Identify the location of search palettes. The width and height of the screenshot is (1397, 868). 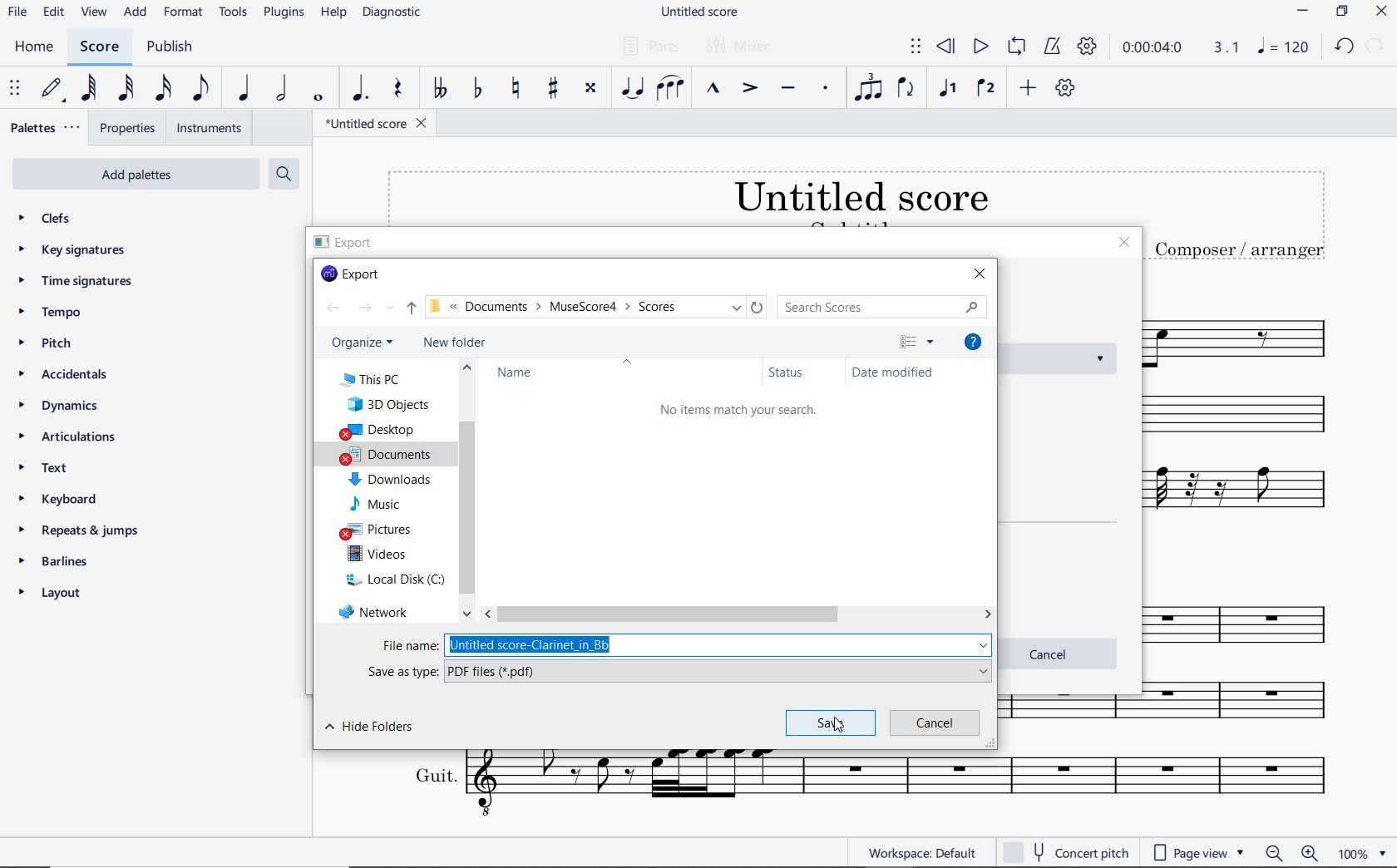
(283, 173).